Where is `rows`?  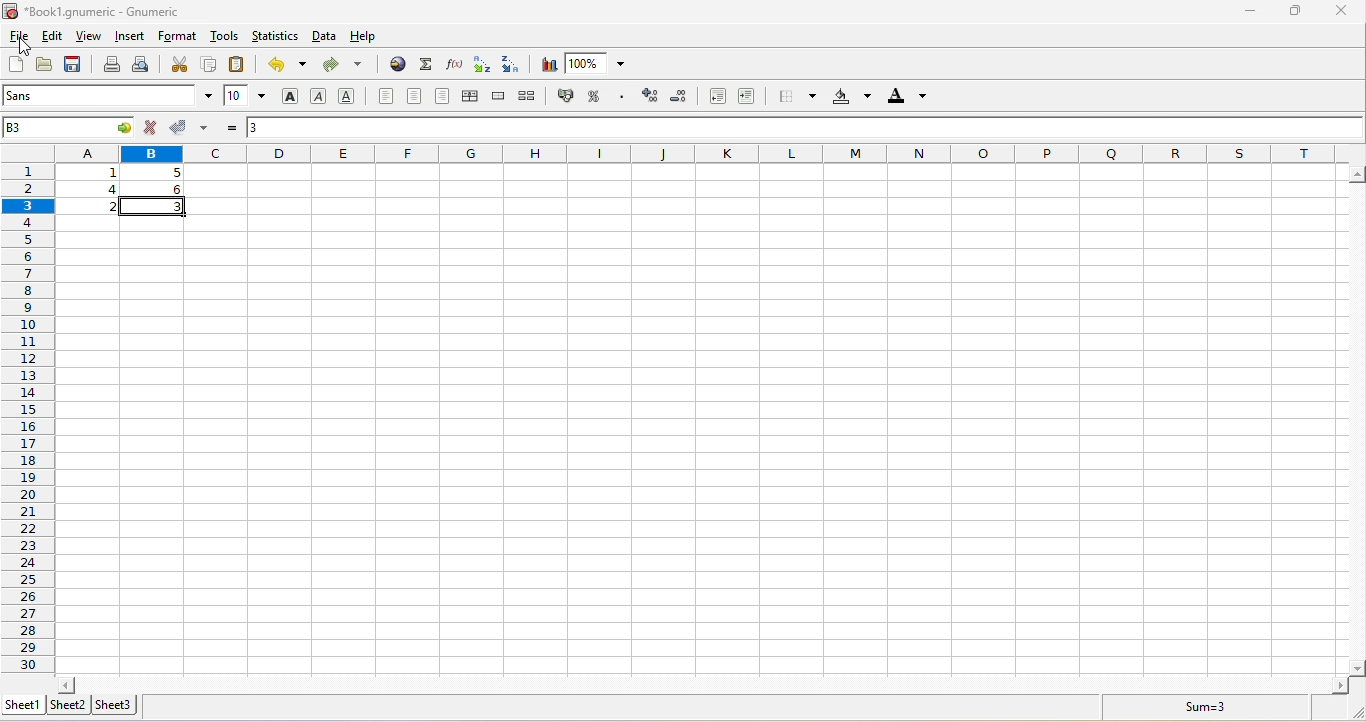
rows is located at coordinates (27, 407).